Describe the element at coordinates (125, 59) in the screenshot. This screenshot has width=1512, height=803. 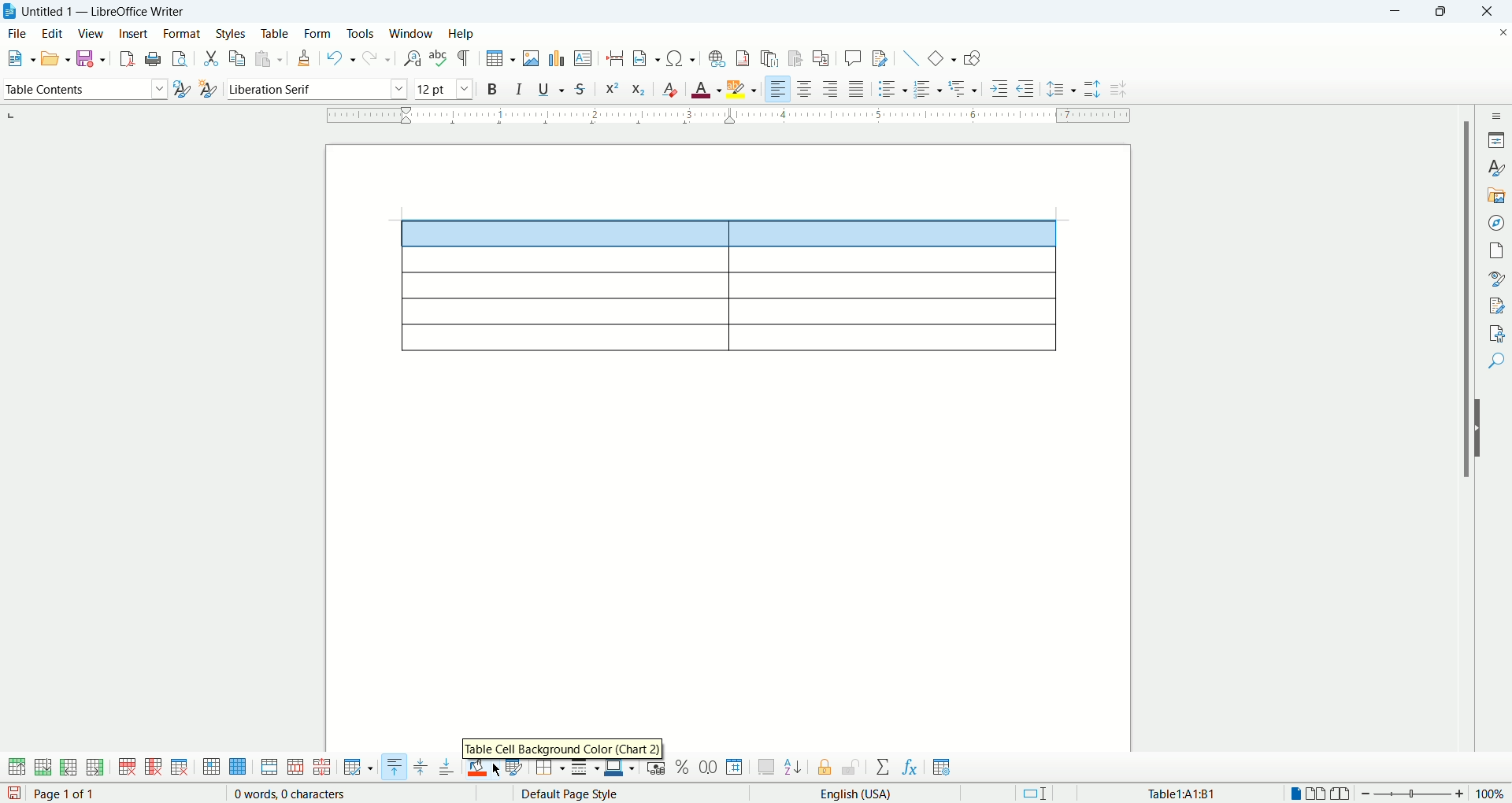
I see `export as pdf` at that location.